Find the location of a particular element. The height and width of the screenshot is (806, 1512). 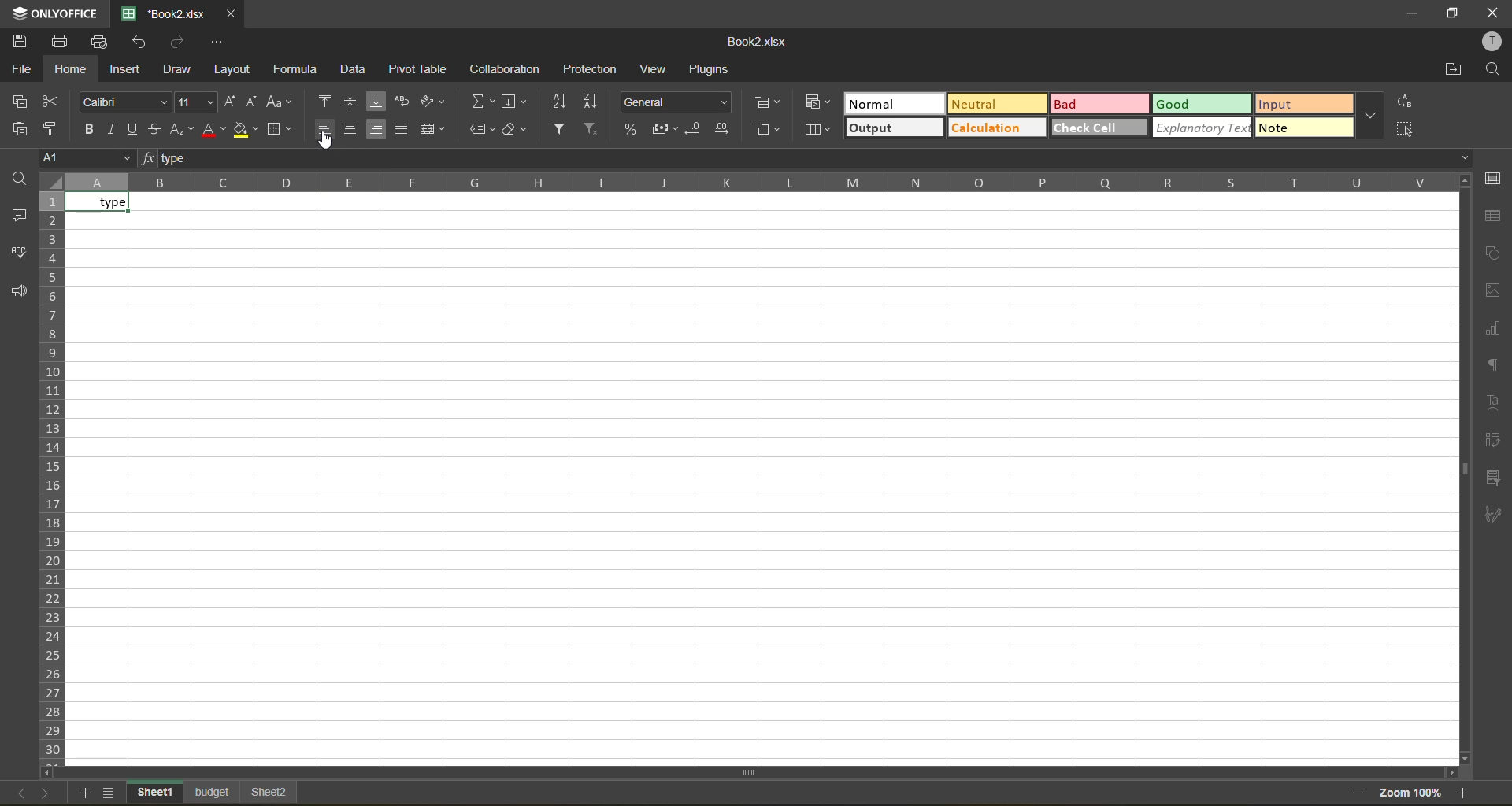

align center is located at coordinates (353, 128).